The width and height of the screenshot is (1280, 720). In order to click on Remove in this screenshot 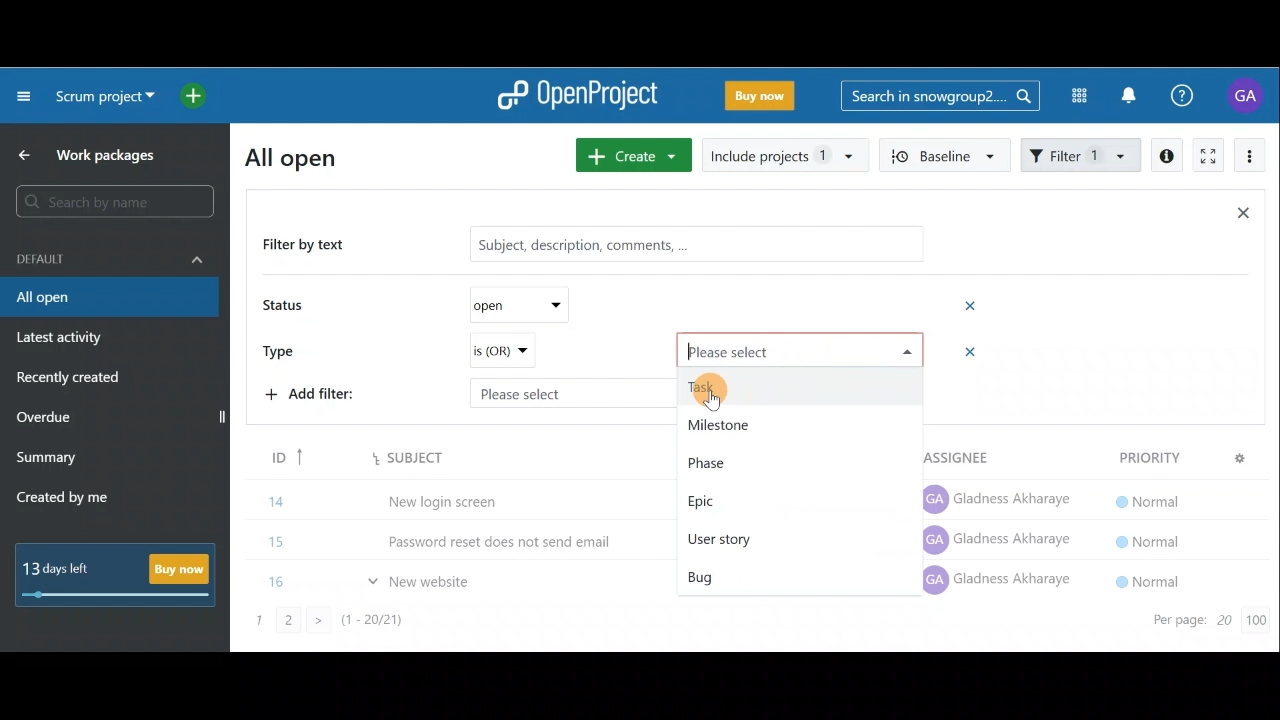, I will do `click(972, 305)`.